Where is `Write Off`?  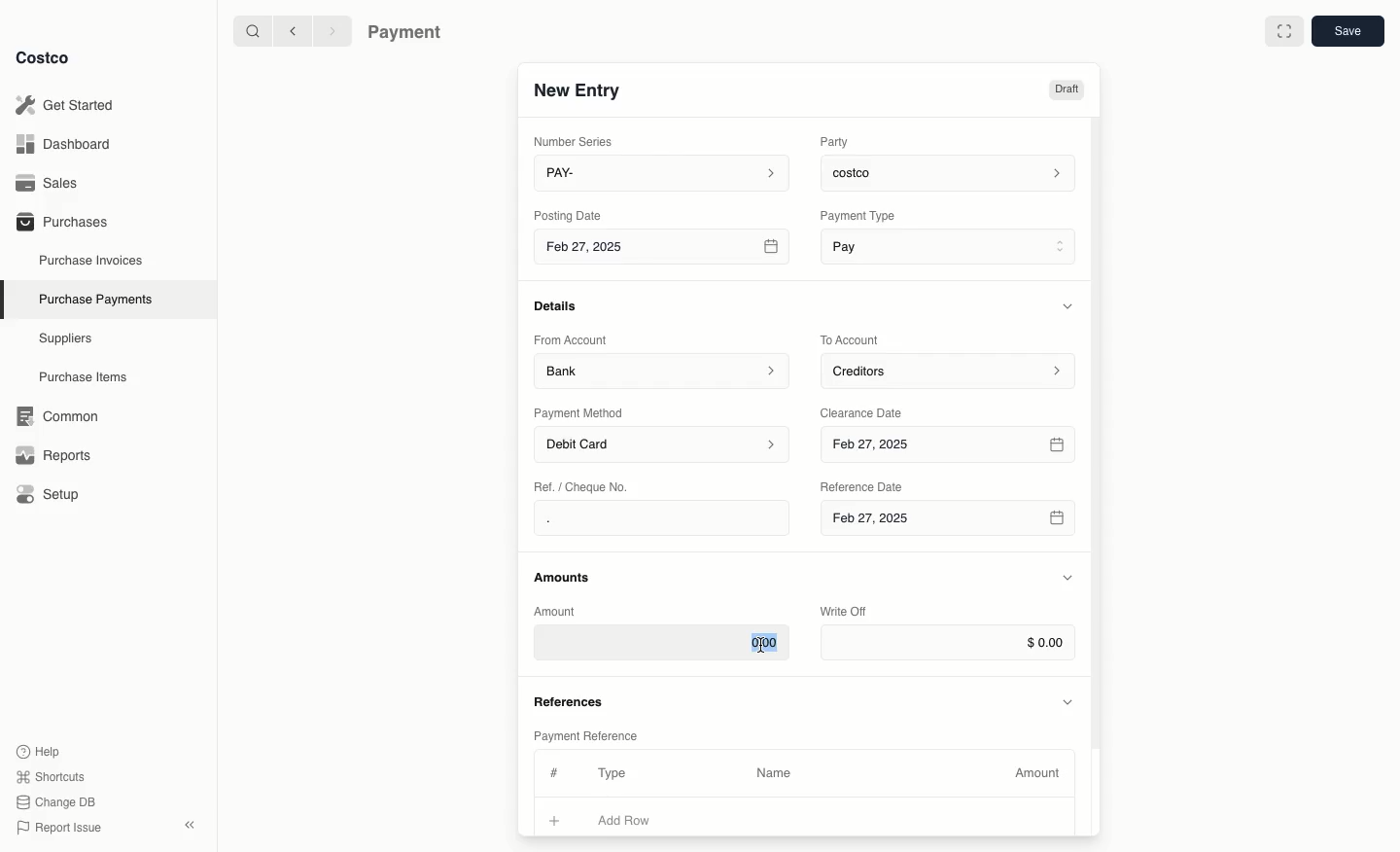
Write Off is located at coordinates (844, 613).